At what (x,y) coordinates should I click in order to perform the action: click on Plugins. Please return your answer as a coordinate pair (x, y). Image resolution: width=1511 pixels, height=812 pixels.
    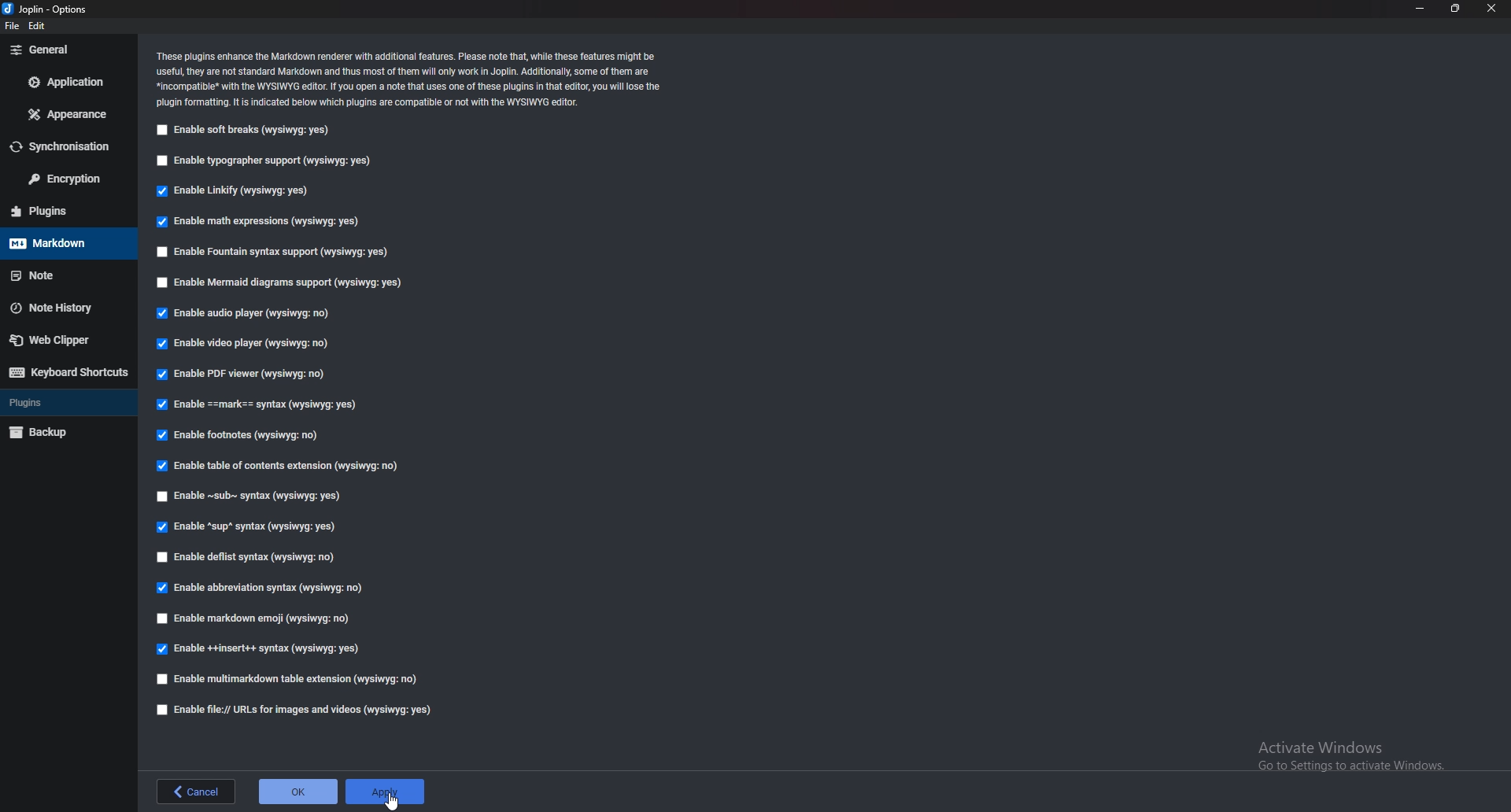
    Looking at the image, I should click on (64, 401).